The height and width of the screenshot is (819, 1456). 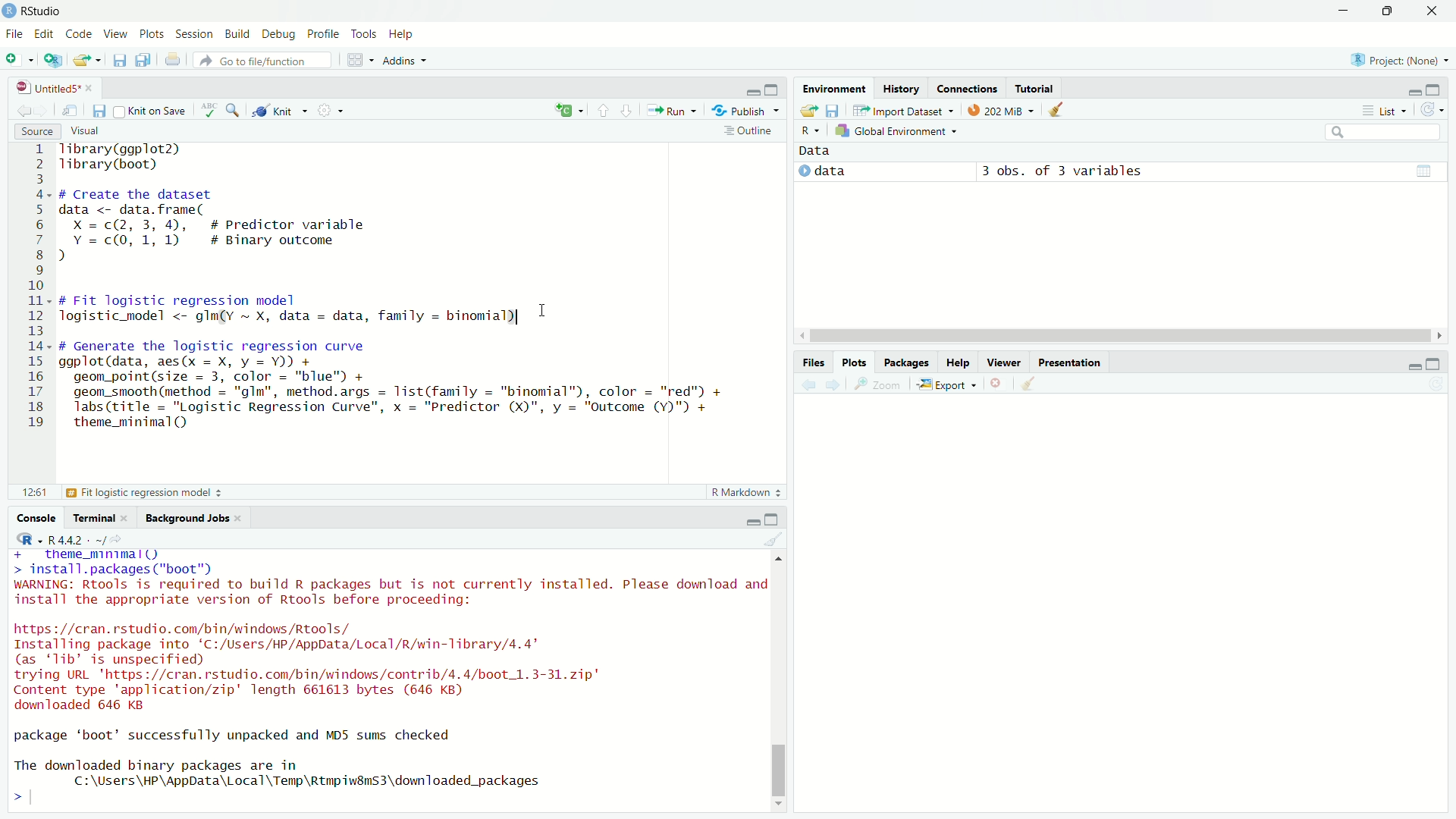 What do you see at coordinates (830, 171) in the screenshot?
I see `data` at bounding box center [830, 171].